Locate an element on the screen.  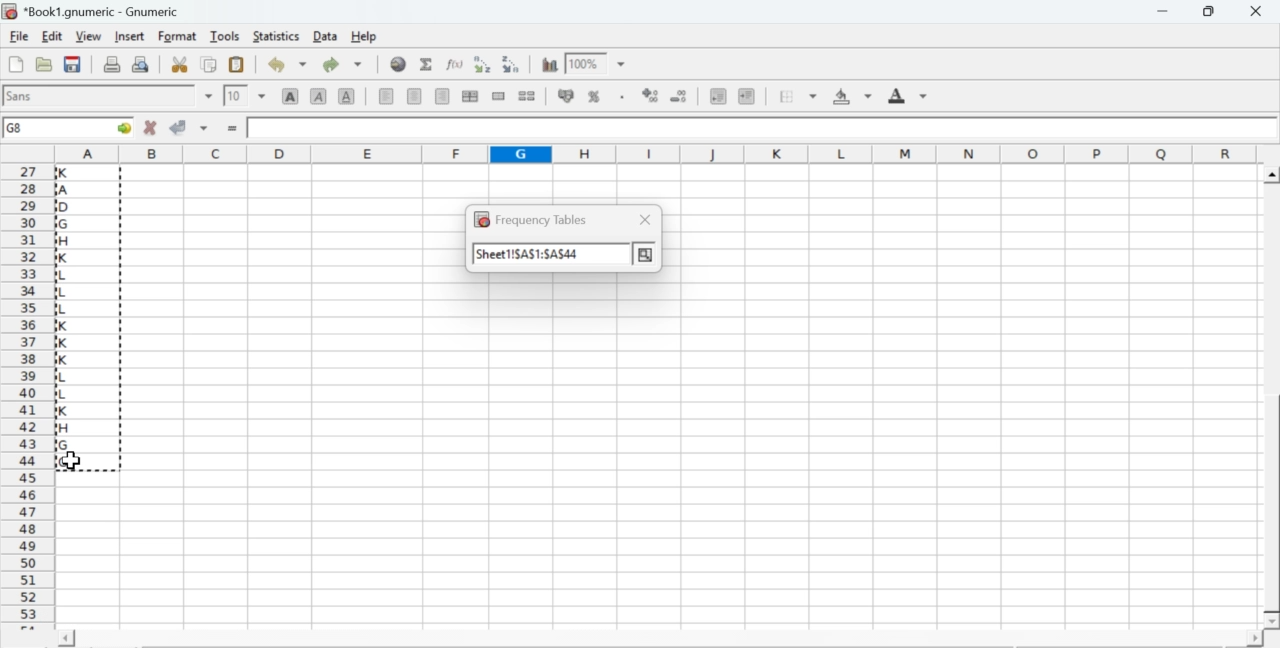
10 is located at coordinates (235, 96).